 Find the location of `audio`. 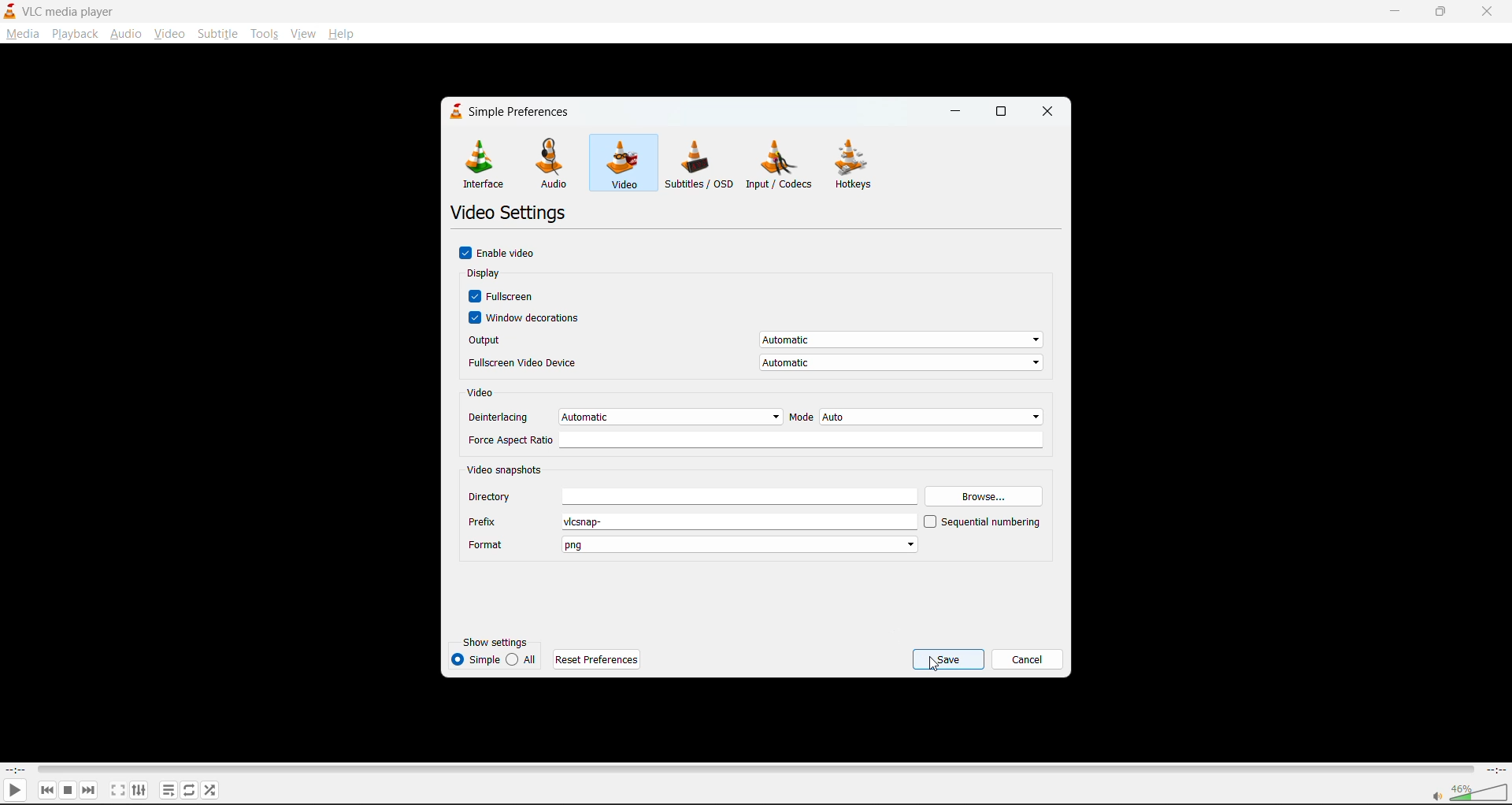

audio is located at coordinates (557, 162).